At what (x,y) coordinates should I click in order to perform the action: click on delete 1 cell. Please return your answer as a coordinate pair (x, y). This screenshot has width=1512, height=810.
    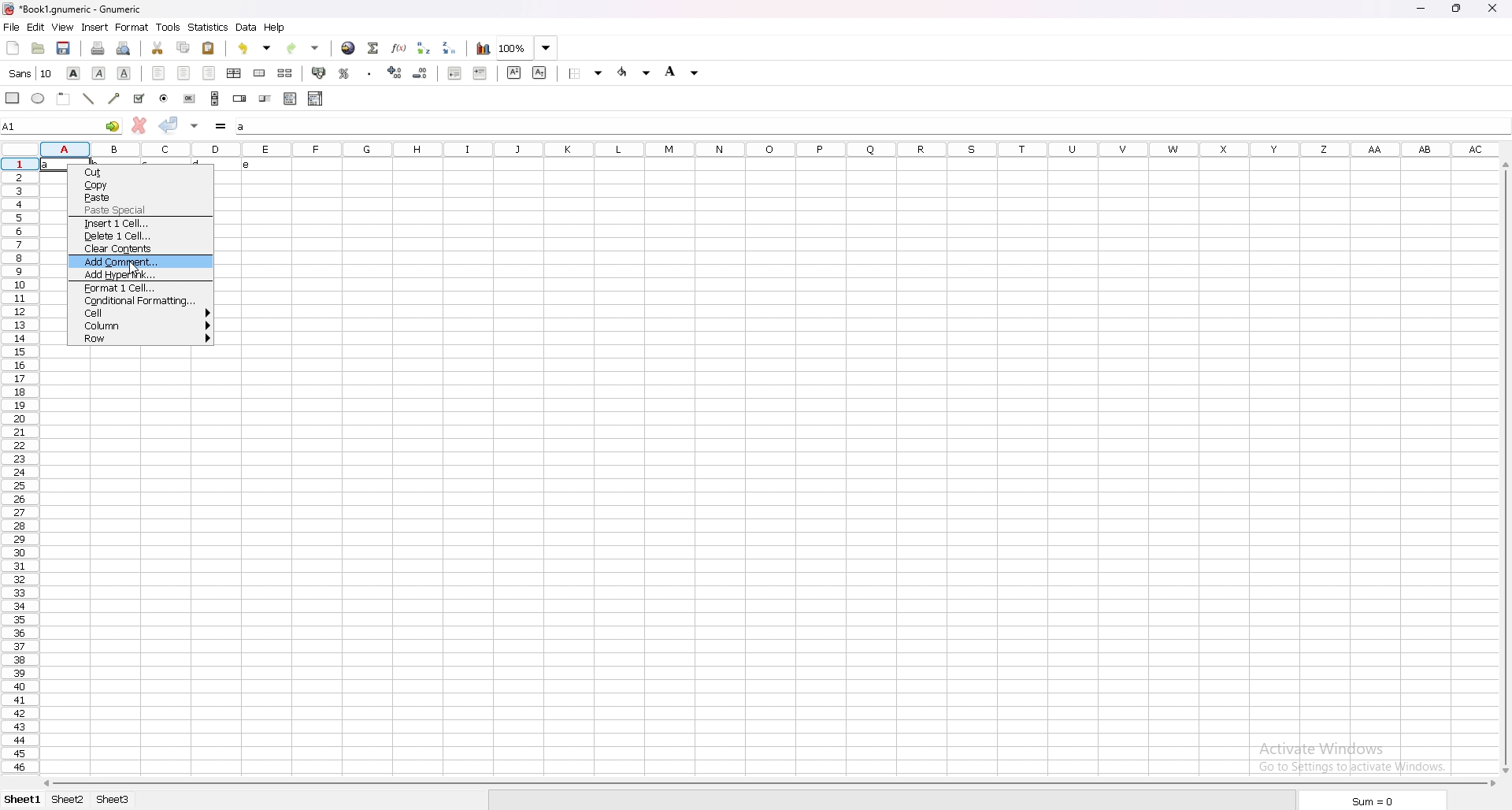
    Looking at the image, I should click on (141, 236).